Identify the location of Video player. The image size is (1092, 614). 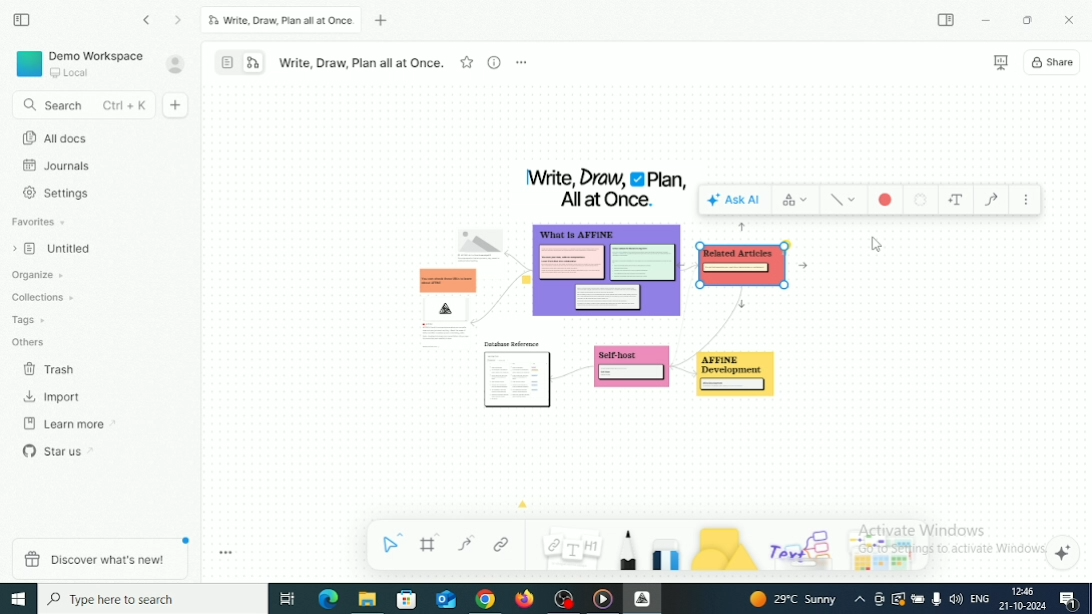
(603, 599).